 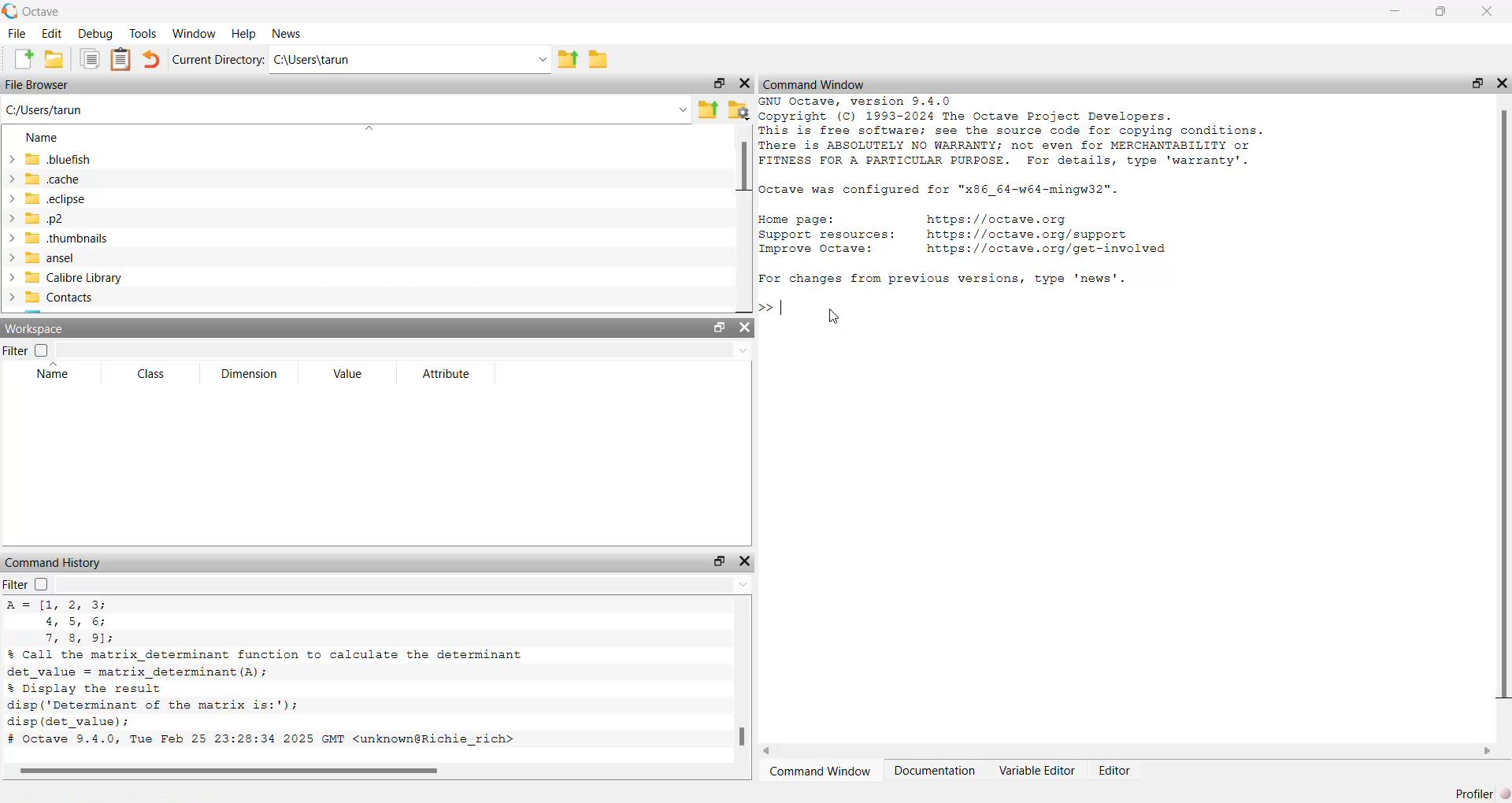 I want to click on thumbnails, so click(x=61, y=238).